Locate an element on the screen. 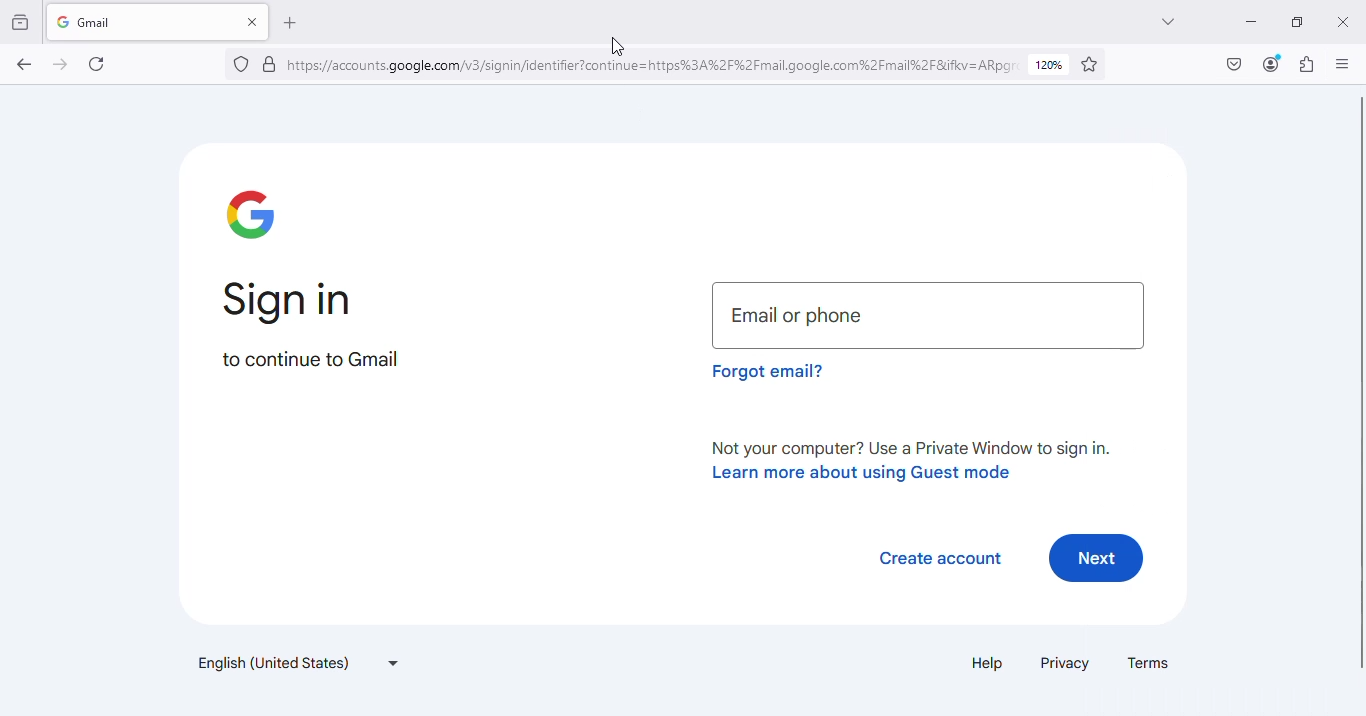 The width and height of the screenshot is (1366, 716). help is located at coordinates (987, 662).